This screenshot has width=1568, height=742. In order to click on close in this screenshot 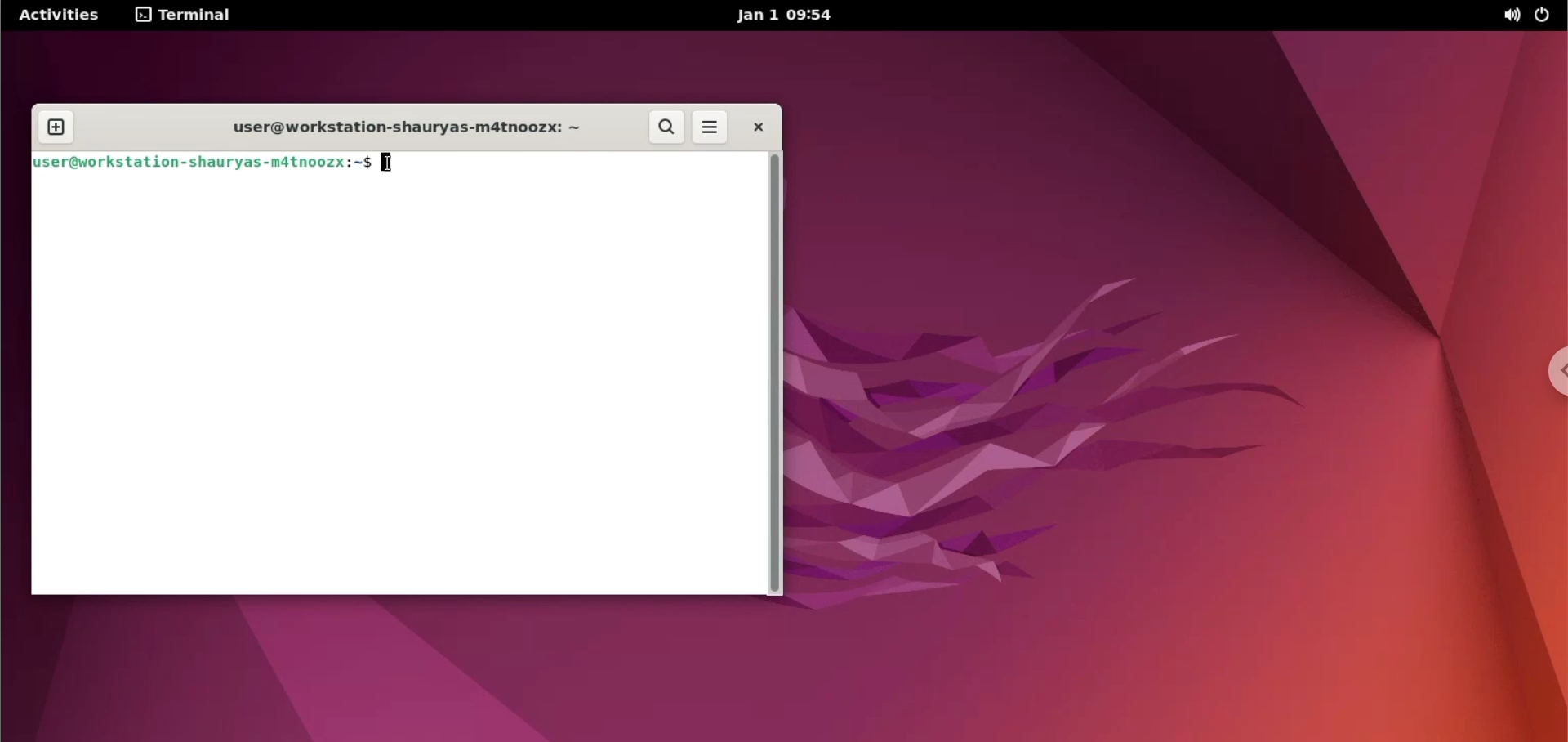, I will do `click(759, 129)`.